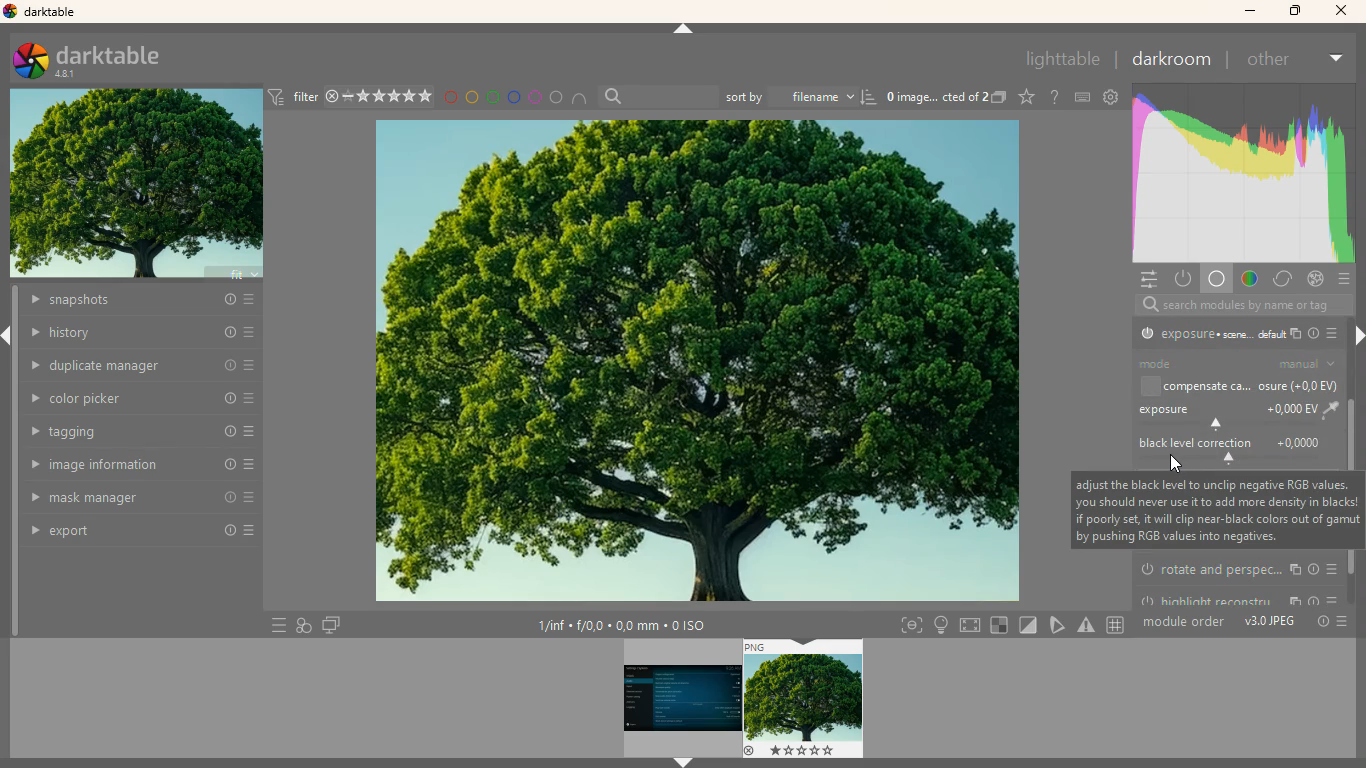 The image size is (1366, 768). Describe the element at coordinates (43, 12) in the screenshot. I see `darktable` at that location.